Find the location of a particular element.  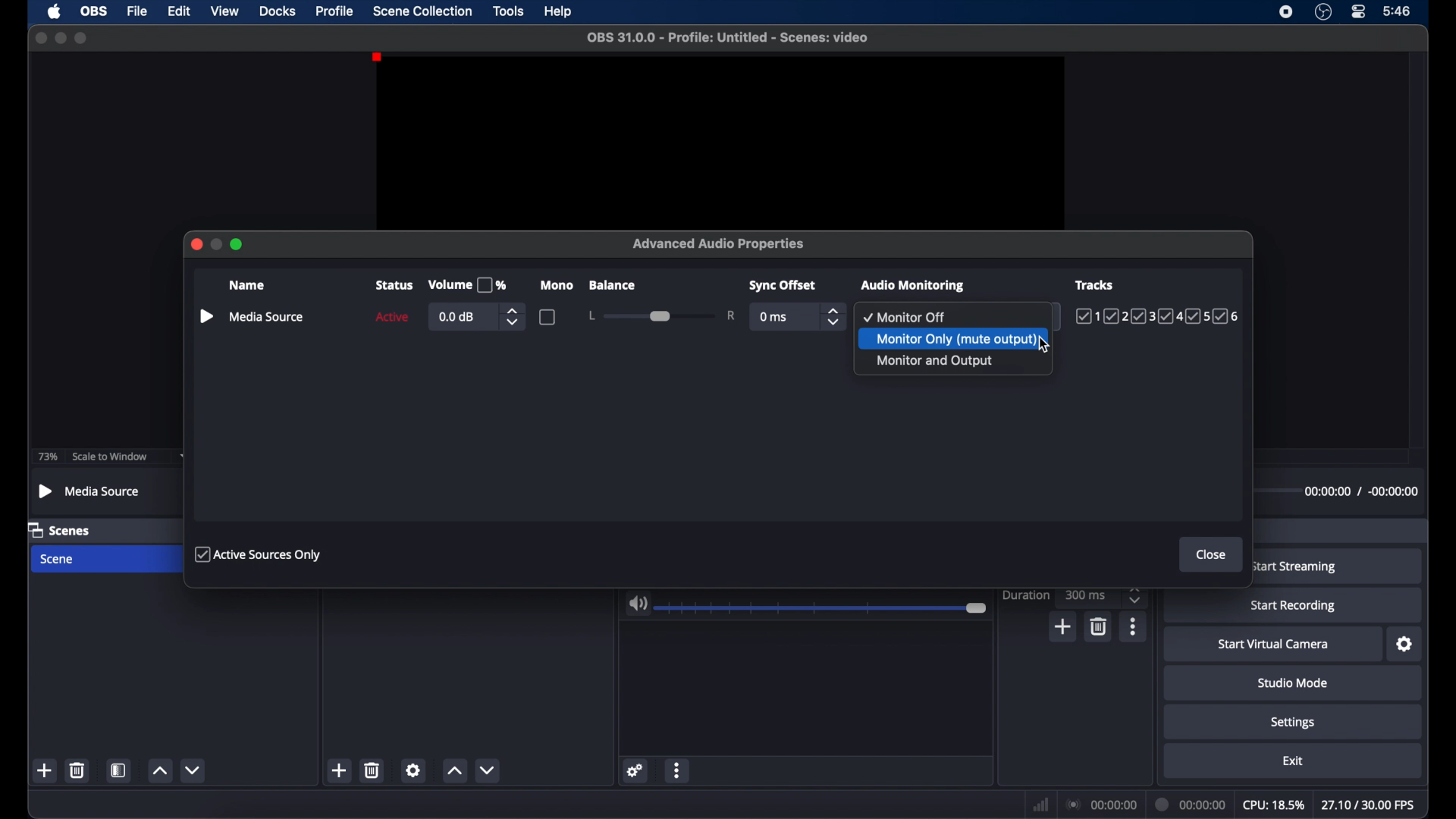

delete is located at coordinates (76, 770).